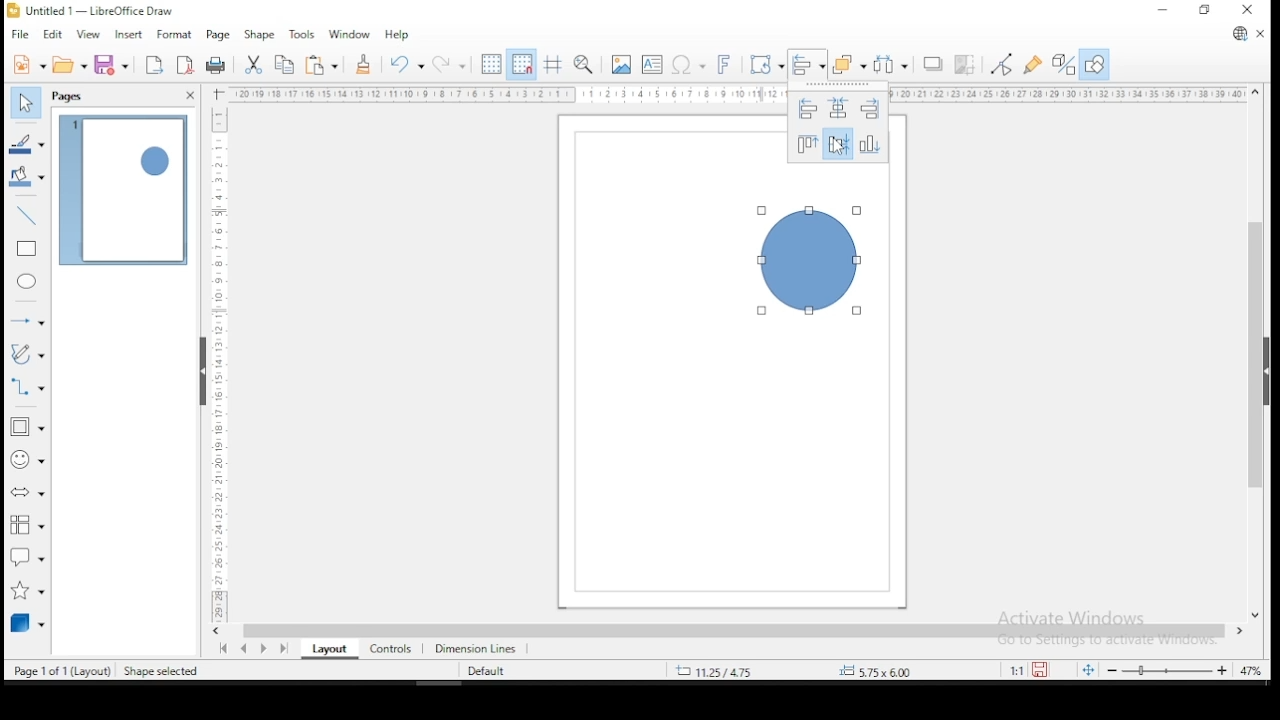 This screenshot has height=720, width=1280. What do you see at coordinates (28, 320) in the screenshot?
I see `lines and arrows` at bounding box center [28, 320].